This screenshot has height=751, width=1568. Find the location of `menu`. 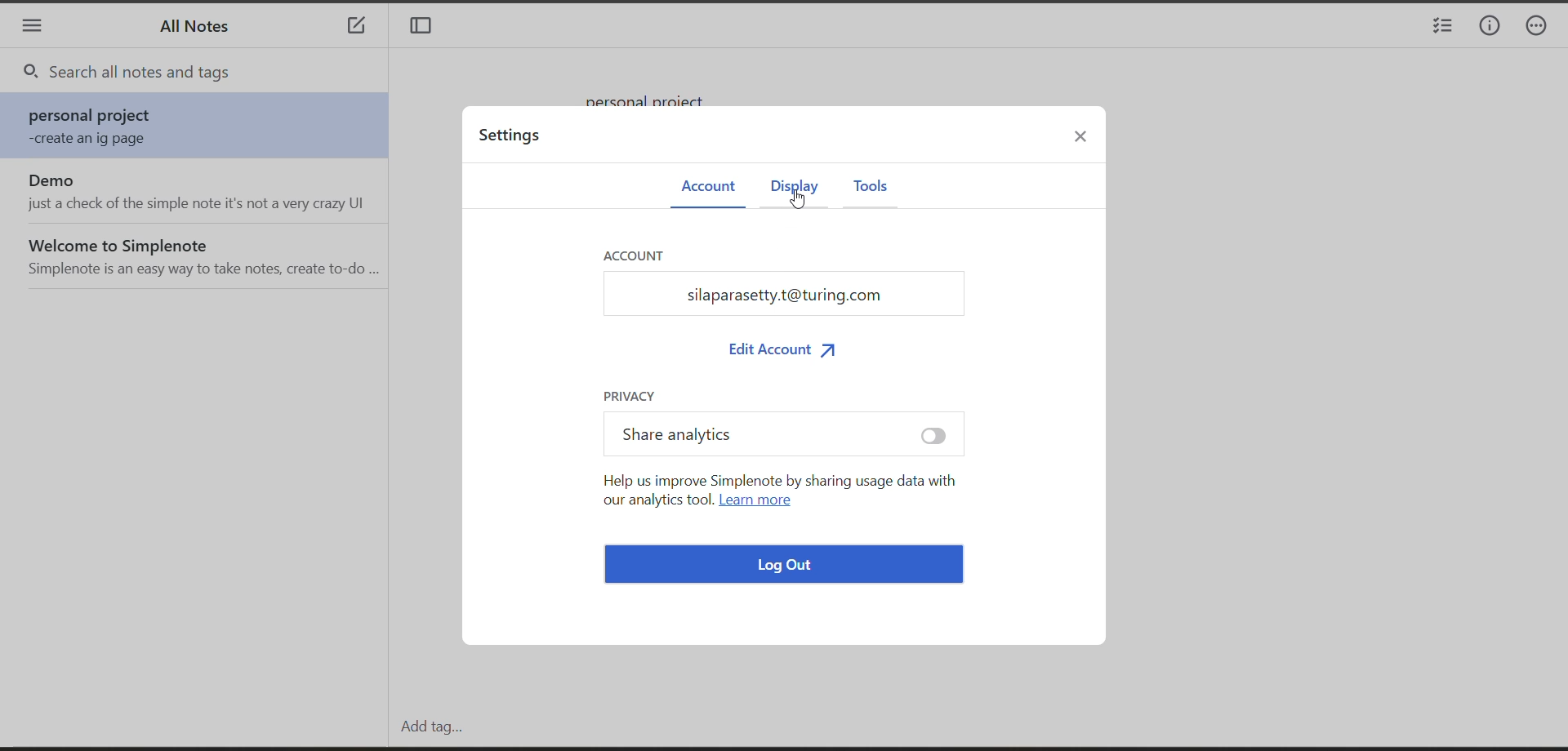

menu is located at coordinates (32, 28).